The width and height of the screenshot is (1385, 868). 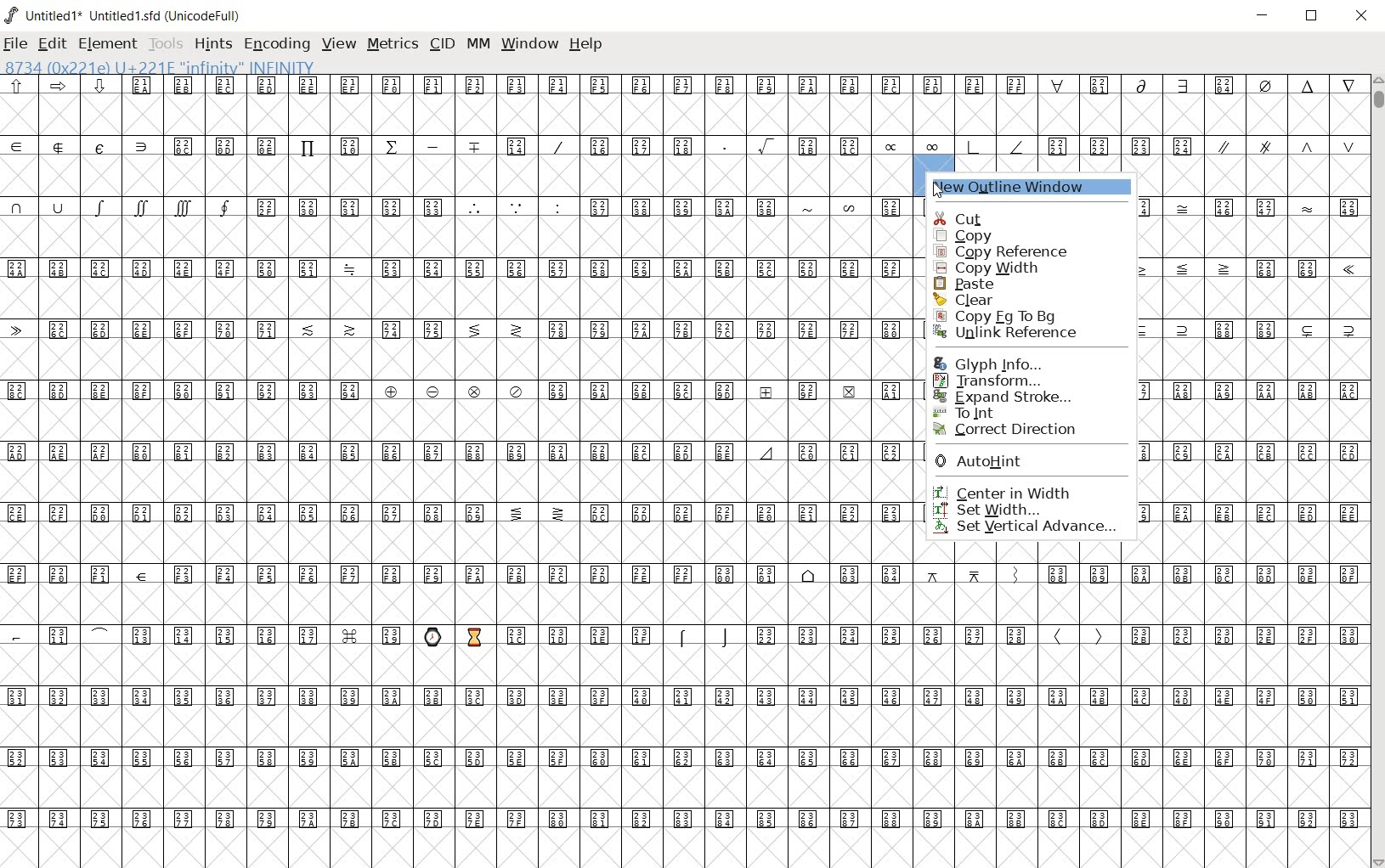 I want to click on Unicode code points, so click(x=1291, y=268).